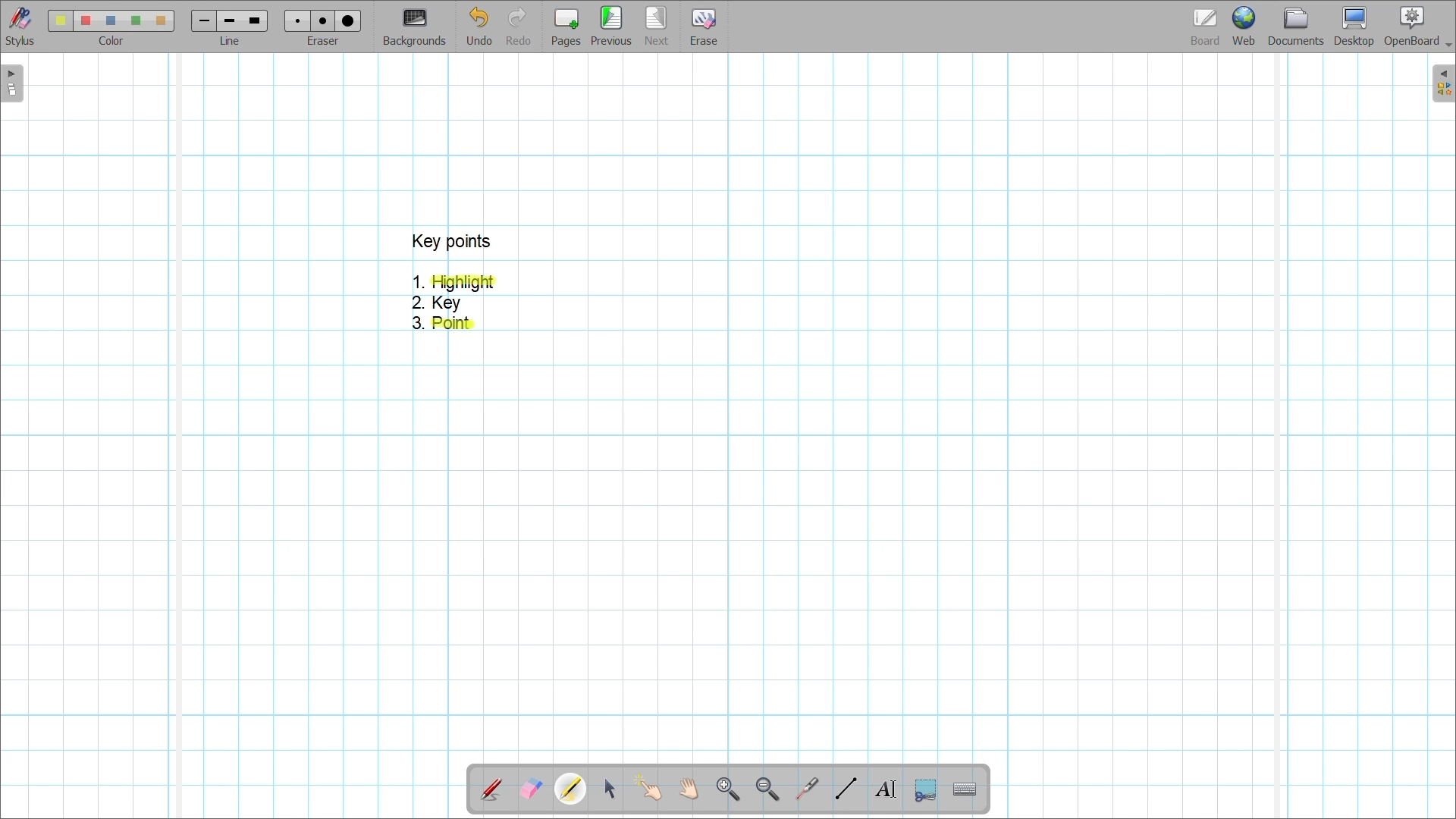 This screenshot has width=1456, height=819. What do you see at coordinates (457, 283) in the screenshot?
I see `1. Highlight` at bounding box center [457, 283].